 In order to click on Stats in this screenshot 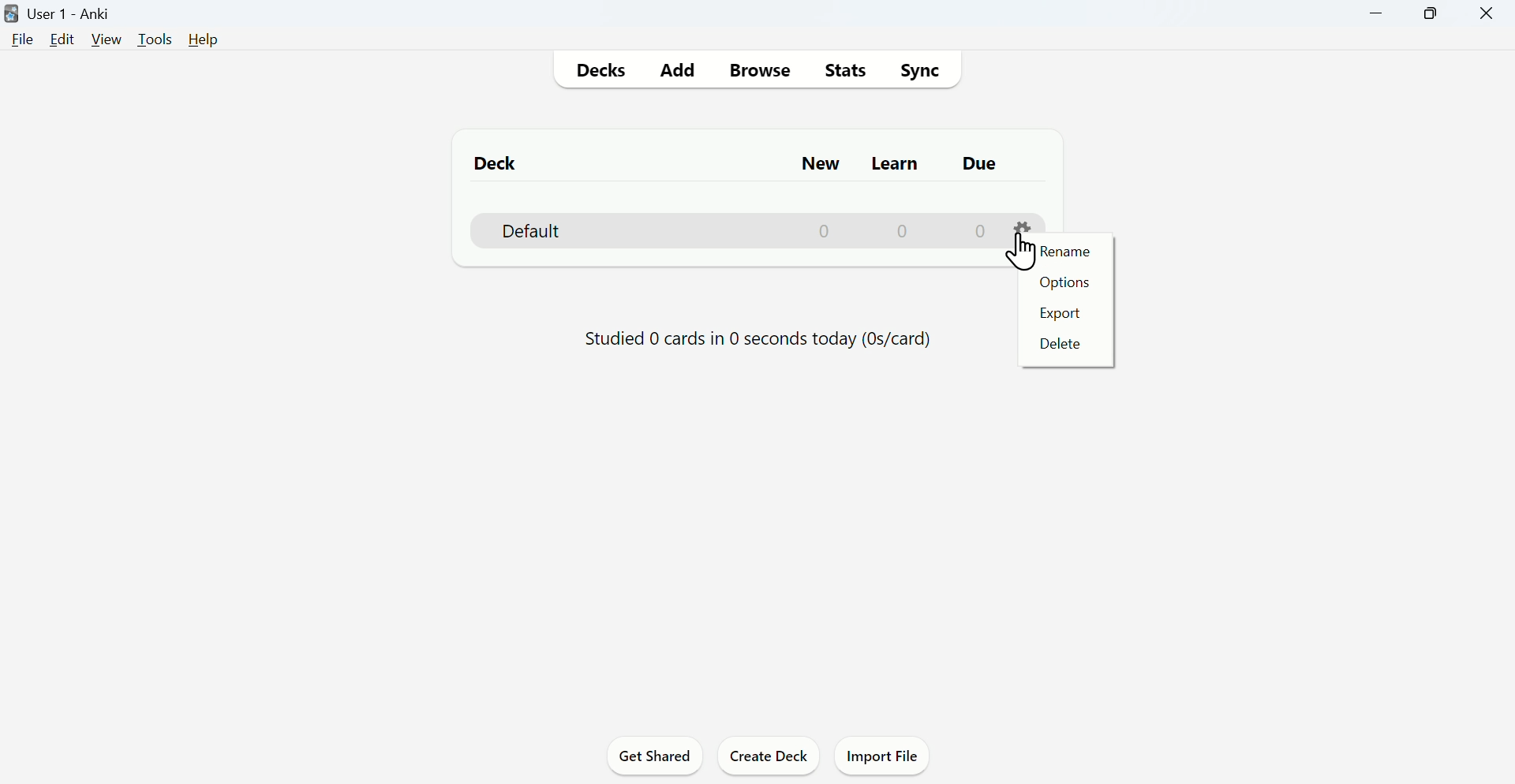, I will do `click(844, 70)`.